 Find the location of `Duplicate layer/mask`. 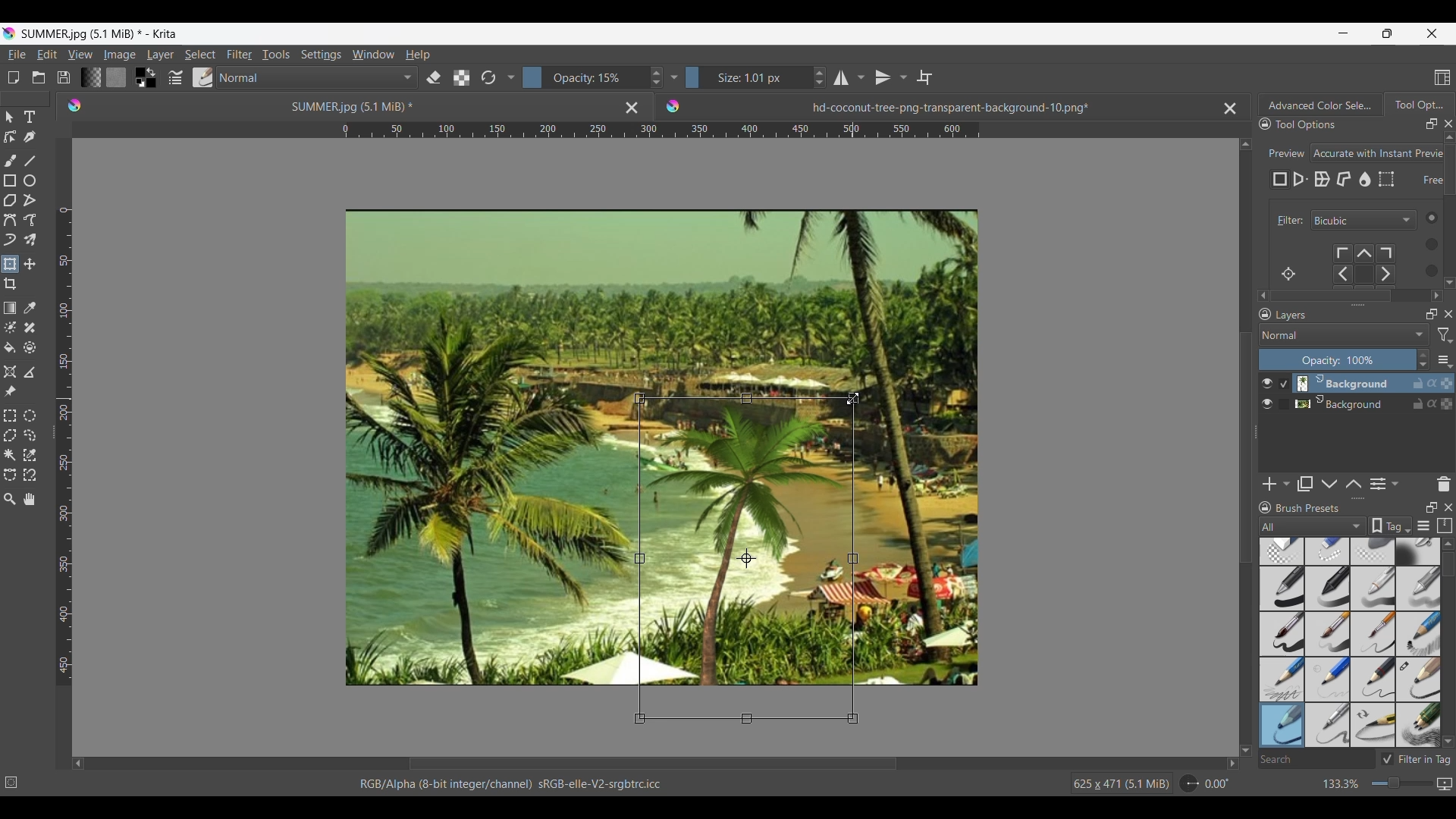

Duplicate layer/mask is located at coordinates (1305, 484).